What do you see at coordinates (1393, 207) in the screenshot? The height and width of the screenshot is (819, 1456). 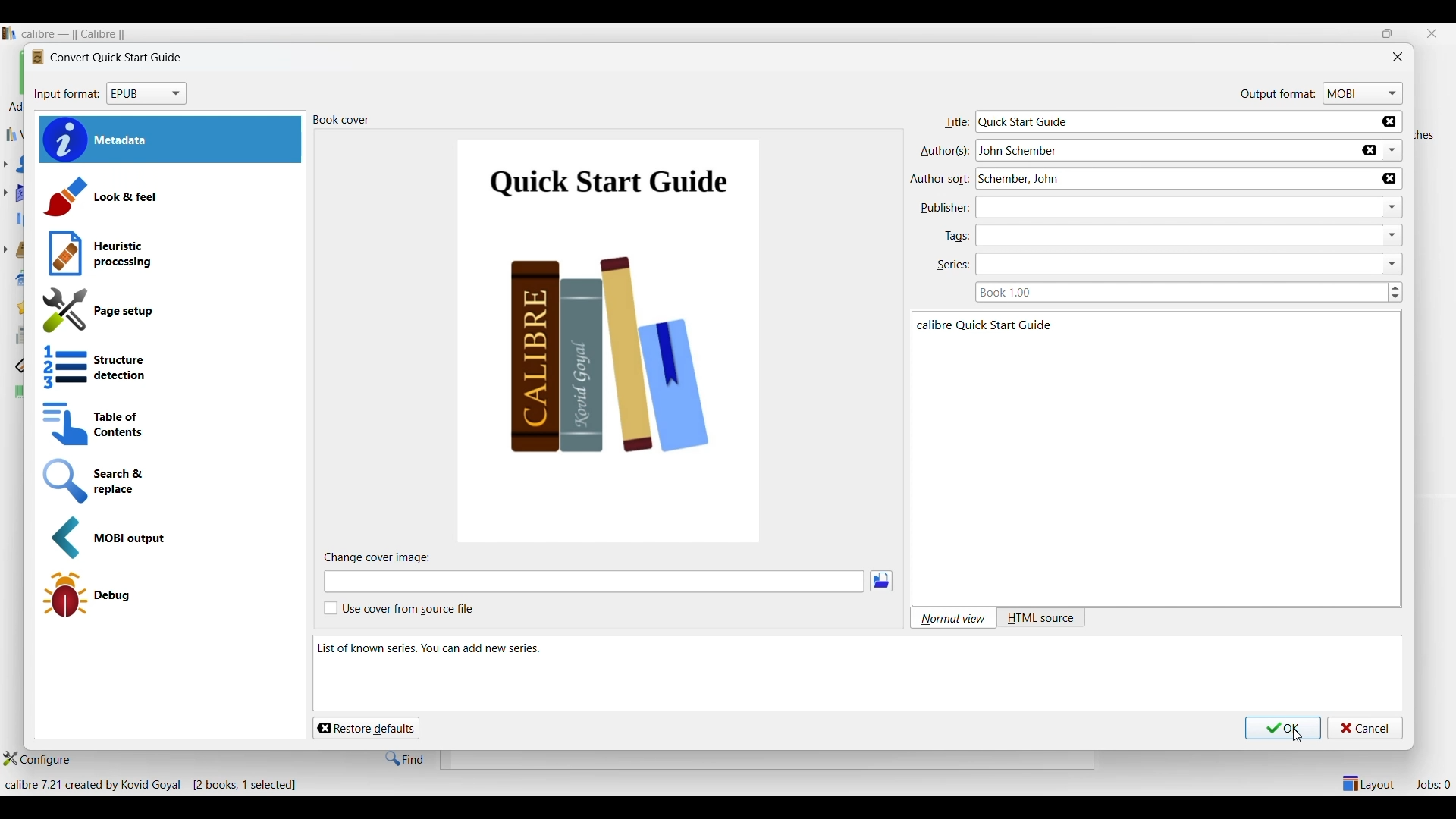 I see `dropdown` at bounding box center [1393, 207].